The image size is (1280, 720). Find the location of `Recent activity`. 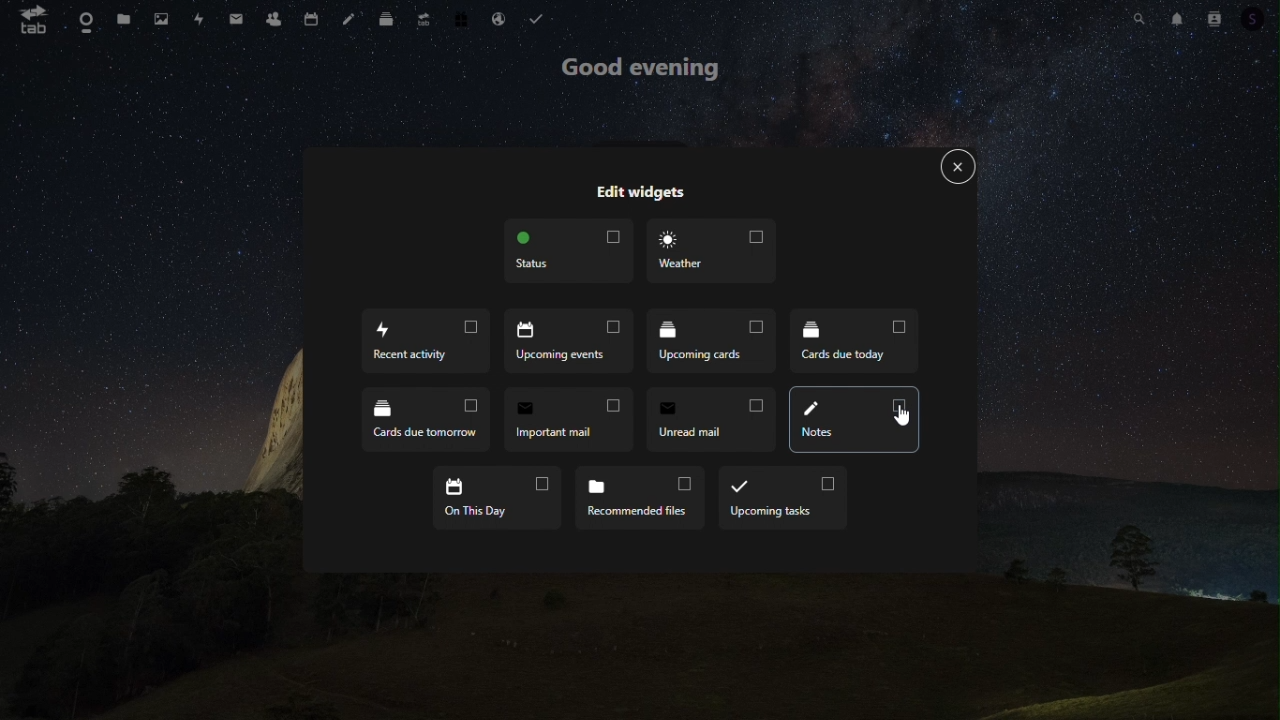

Recent activity is located at coordinates (429, 340).